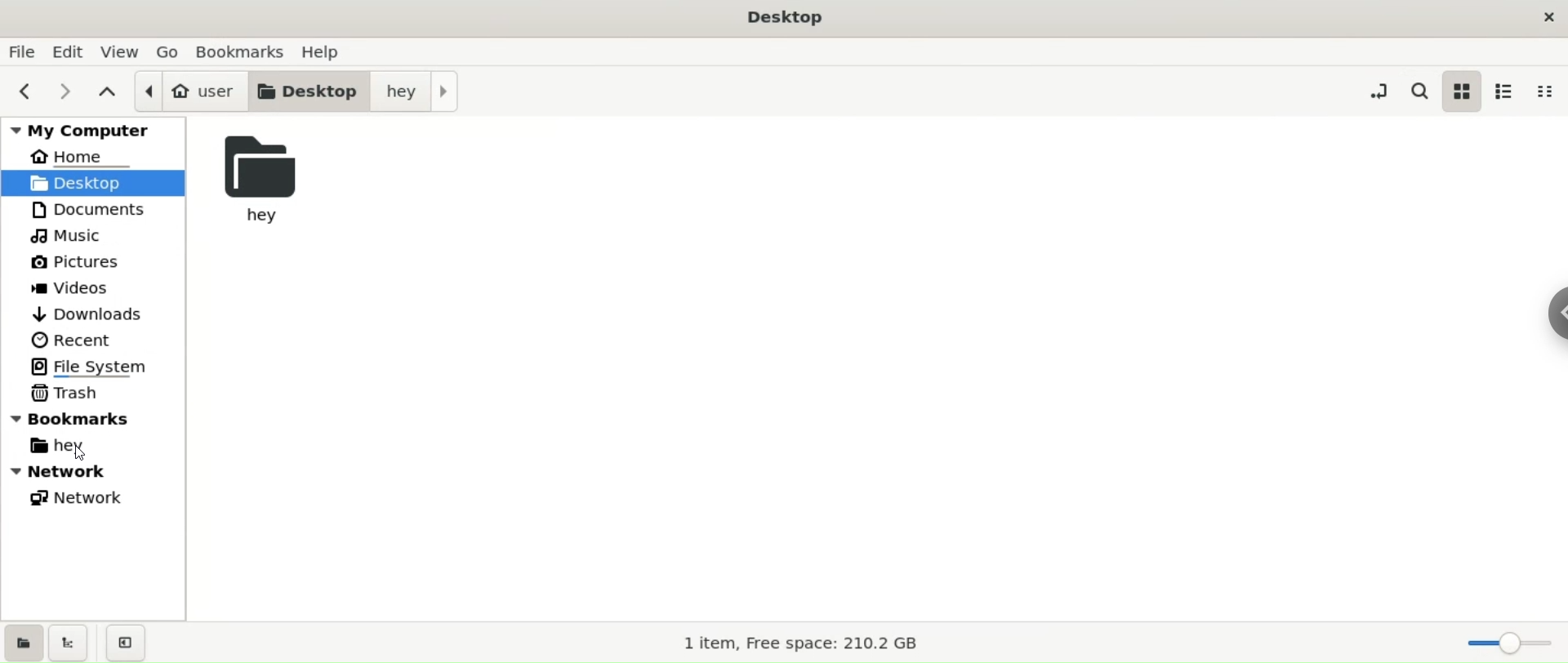  I want to click on pictures, so click(78, 261).